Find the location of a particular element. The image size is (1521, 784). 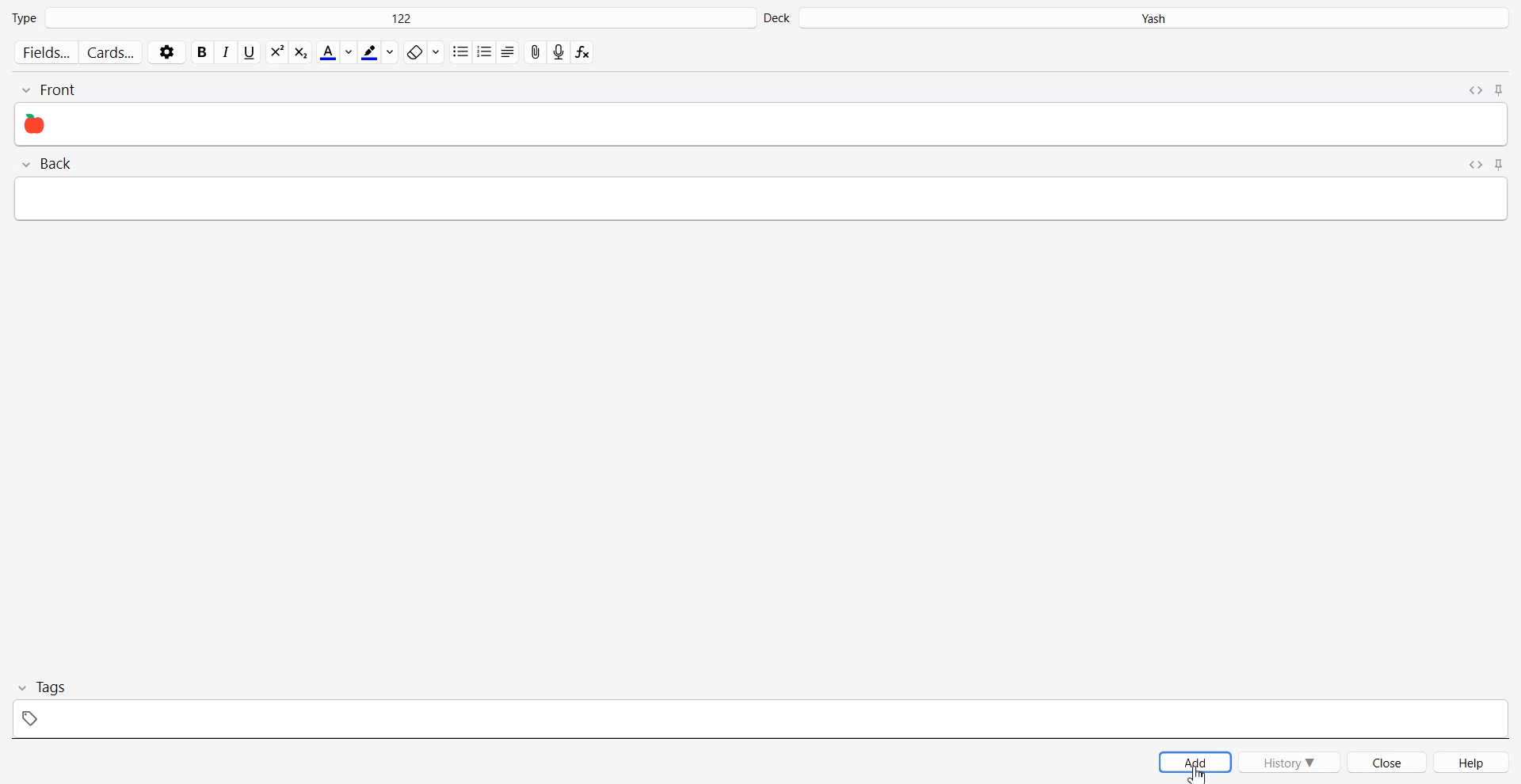

Record audio is located at coordinates (558, 52).